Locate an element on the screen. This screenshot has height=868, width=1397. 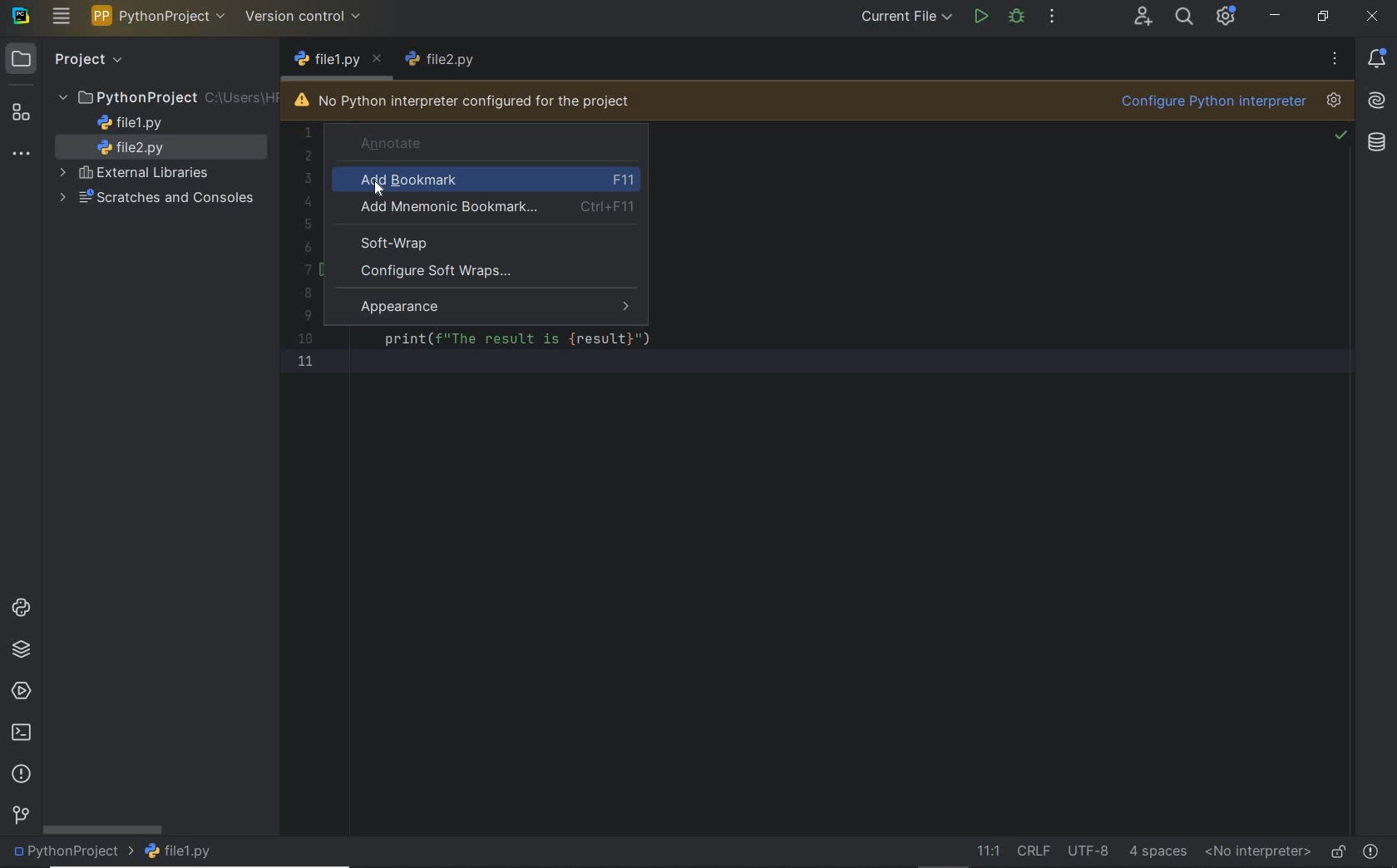
cursor is located at coordinates (378, 191).